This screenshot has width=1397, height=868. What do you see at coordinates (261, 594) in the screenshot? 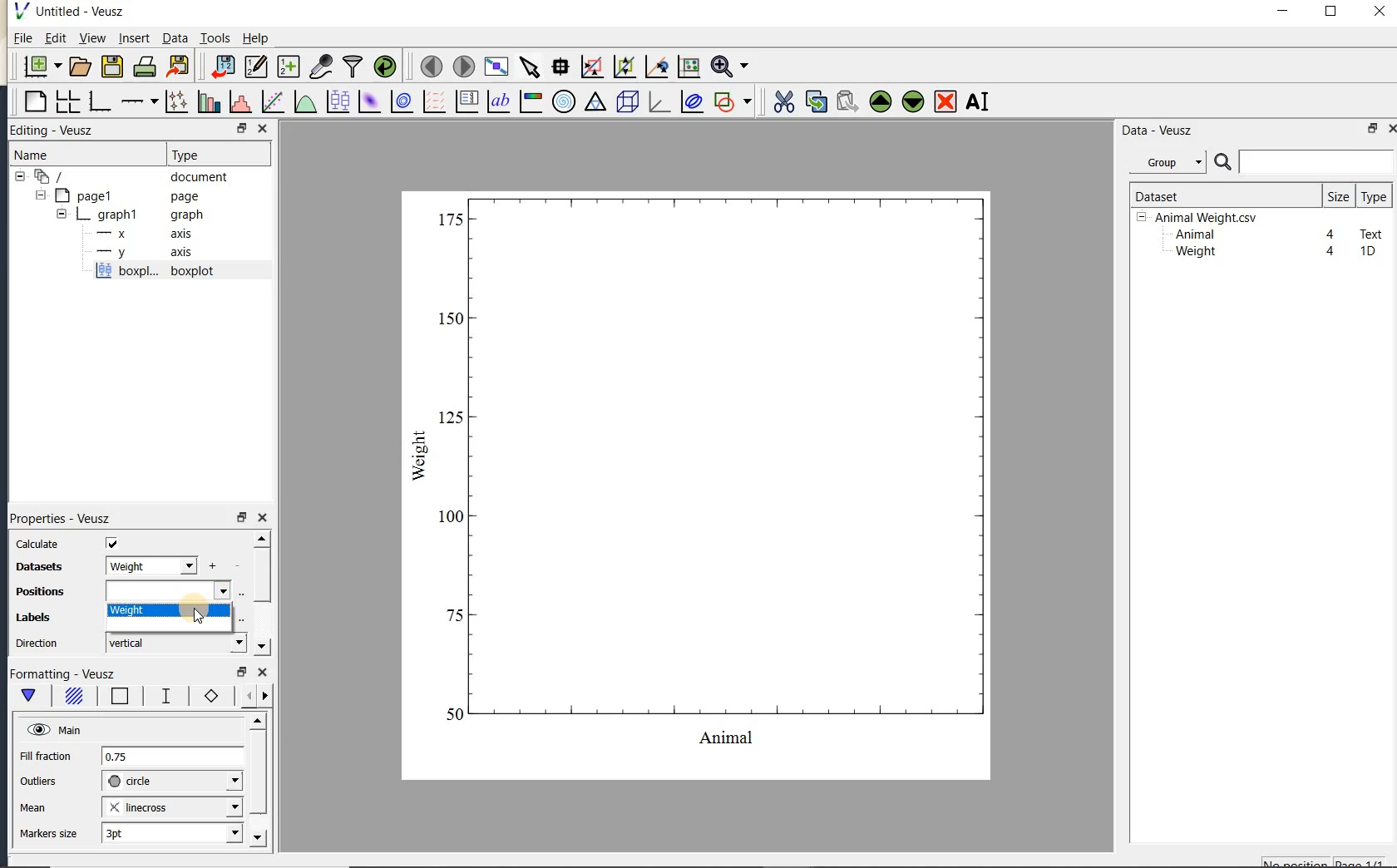
I see `scrollbar` at bounding box center [261, 594].